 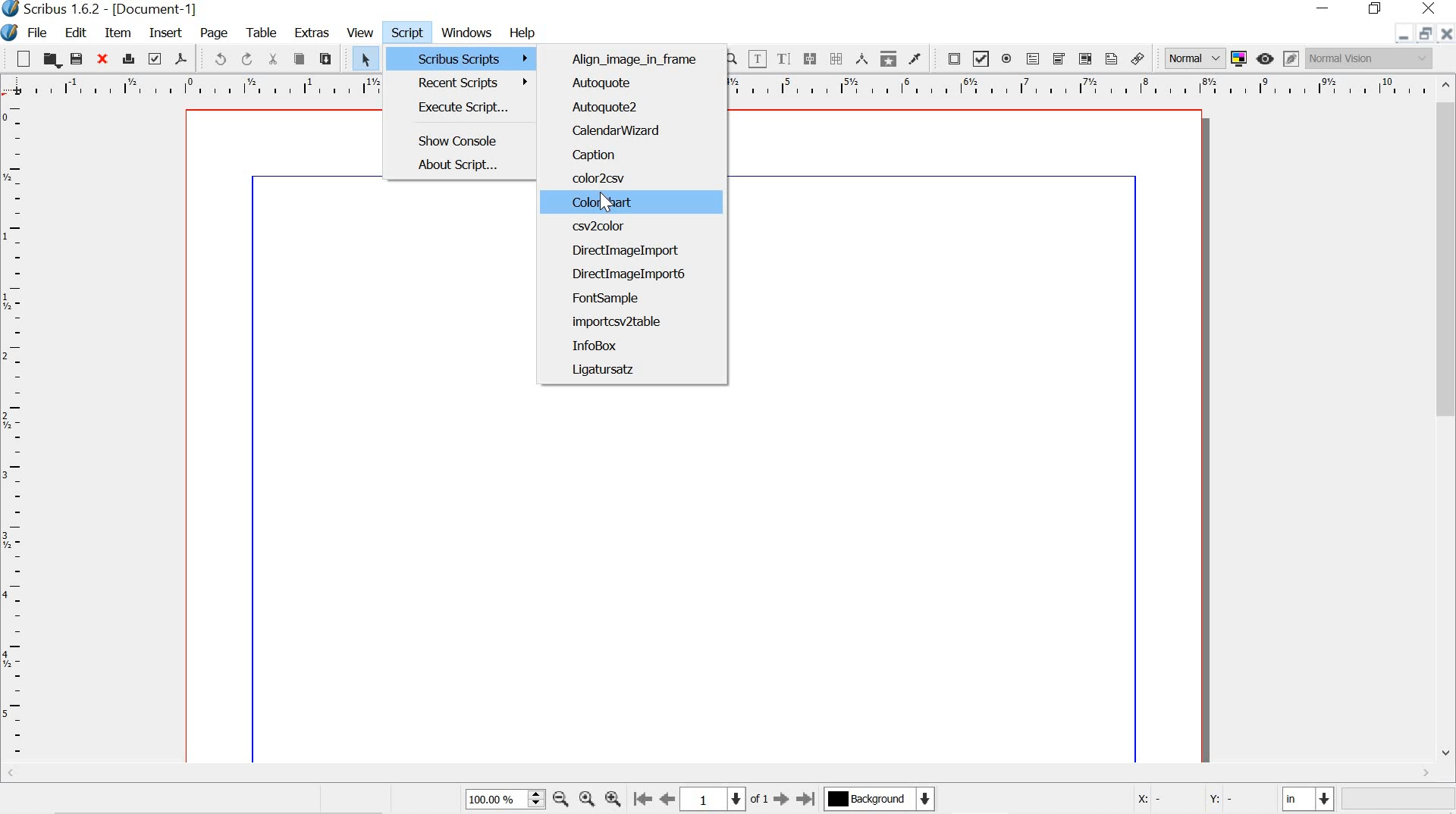 What do you see at coordinates (473, 84) in the screenshot?
I see `recent scripts` at bounding box center [473, 84].